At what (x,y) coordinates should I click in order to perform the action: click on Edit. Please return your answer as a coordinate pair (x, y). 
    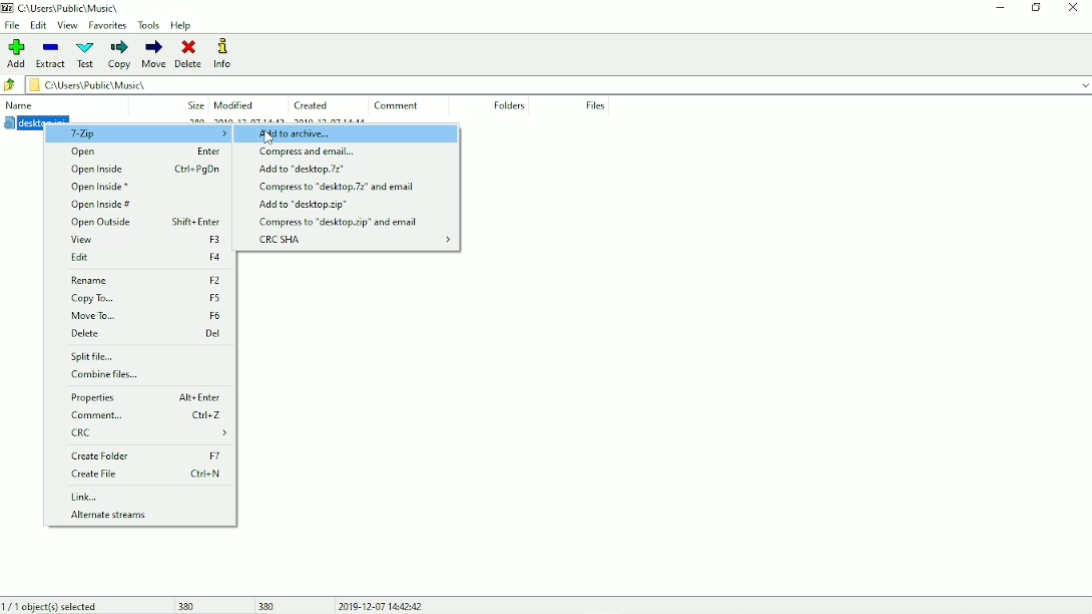
    Looking at the image, I should click on (146, 258).